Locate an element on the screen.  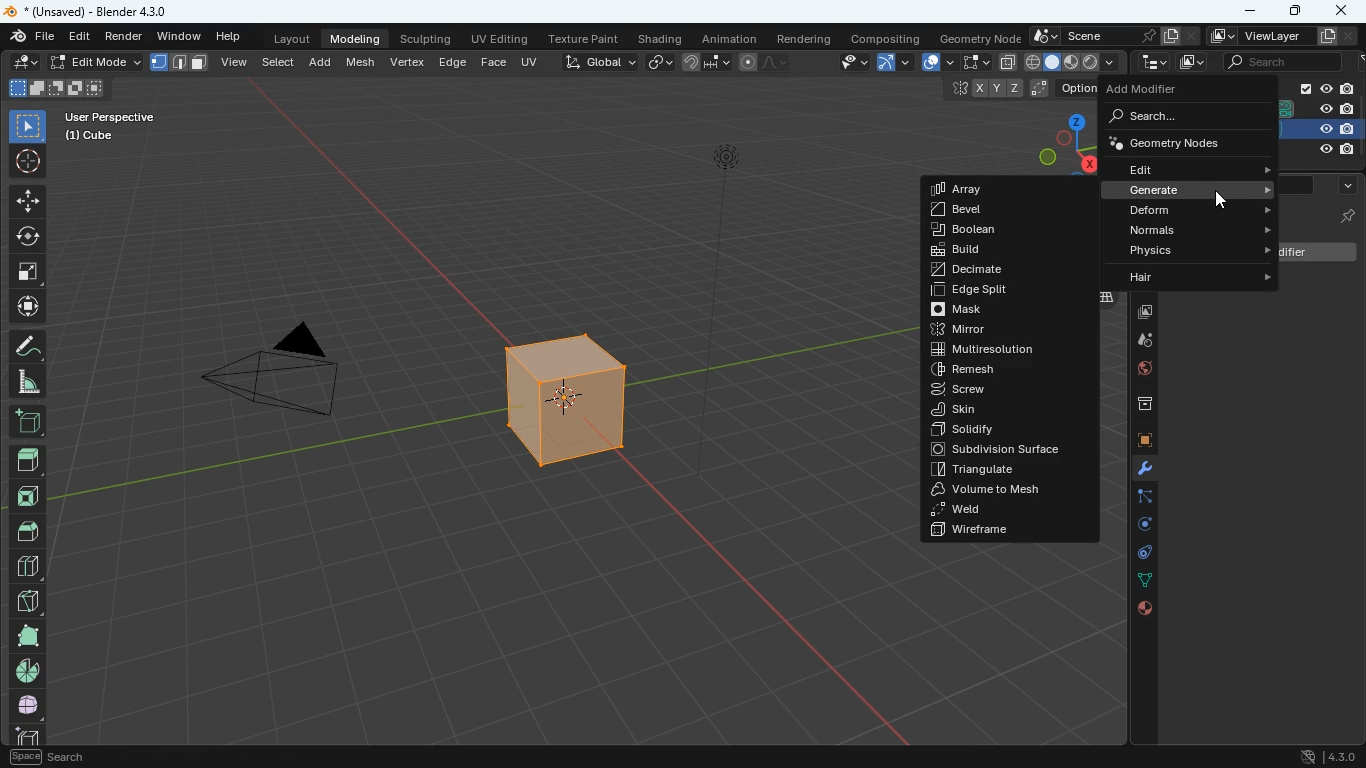
images is located at coordinates (1191, 61).